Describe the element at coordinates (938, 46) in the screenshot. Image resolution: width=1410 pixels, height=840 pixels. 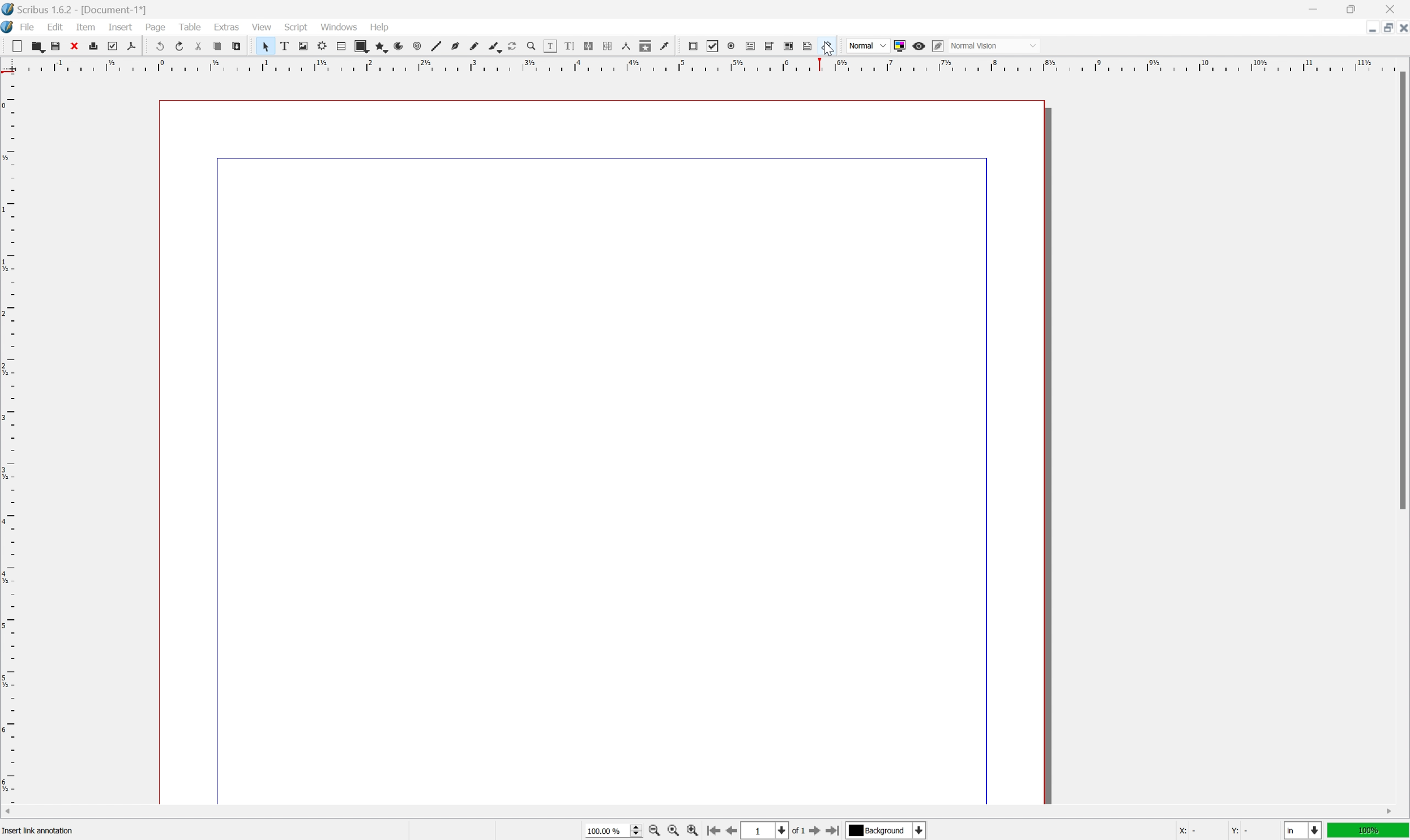
I see `edit in preview mode` at that location.